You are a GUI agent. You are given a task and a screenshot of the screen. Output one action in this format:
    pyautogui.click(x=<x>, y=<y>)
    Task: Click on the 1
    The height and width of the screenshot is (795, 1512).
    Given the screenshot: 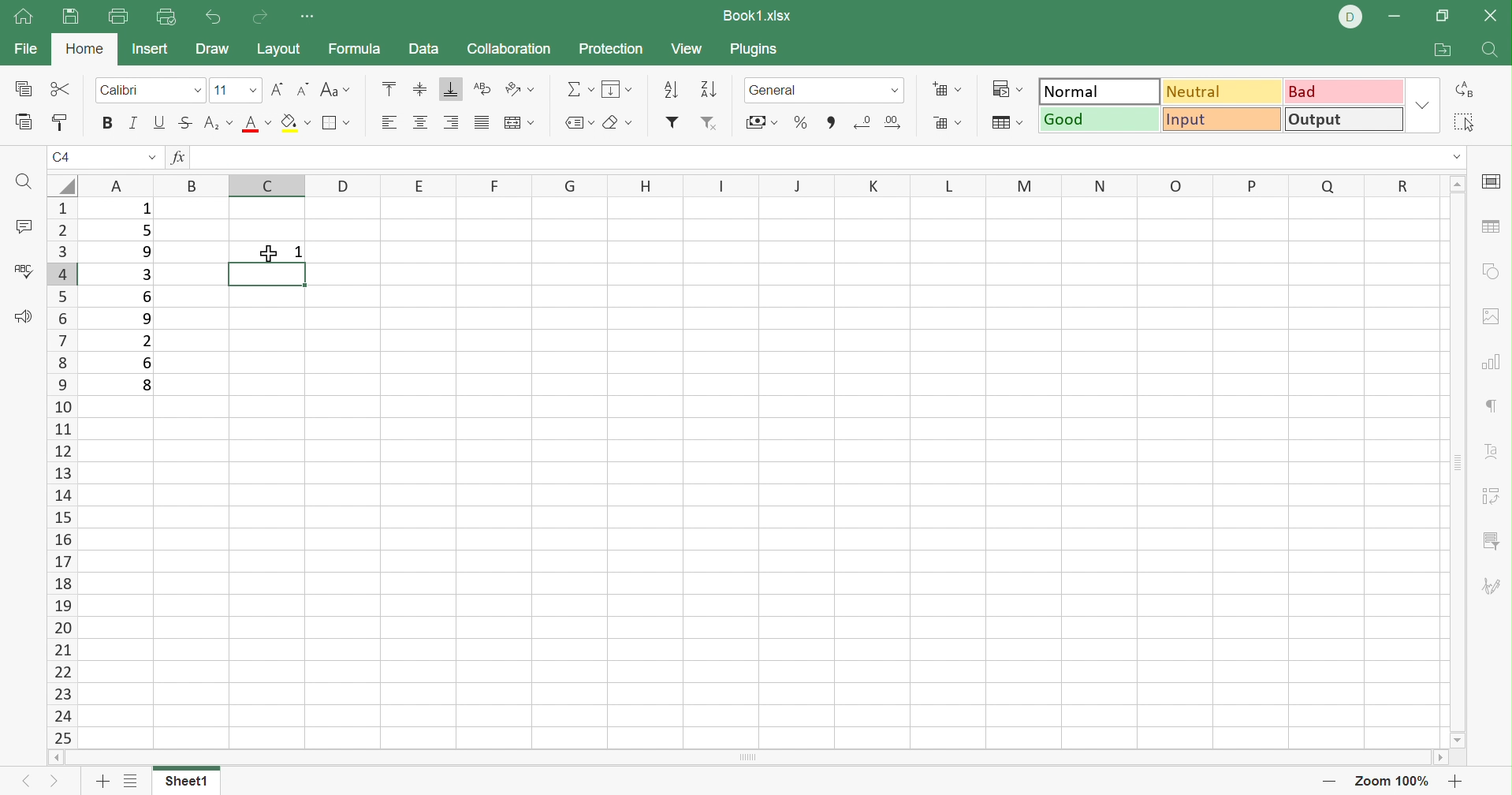 What is the action you would take?
    pyautogui.click(x=297, y=252)
    